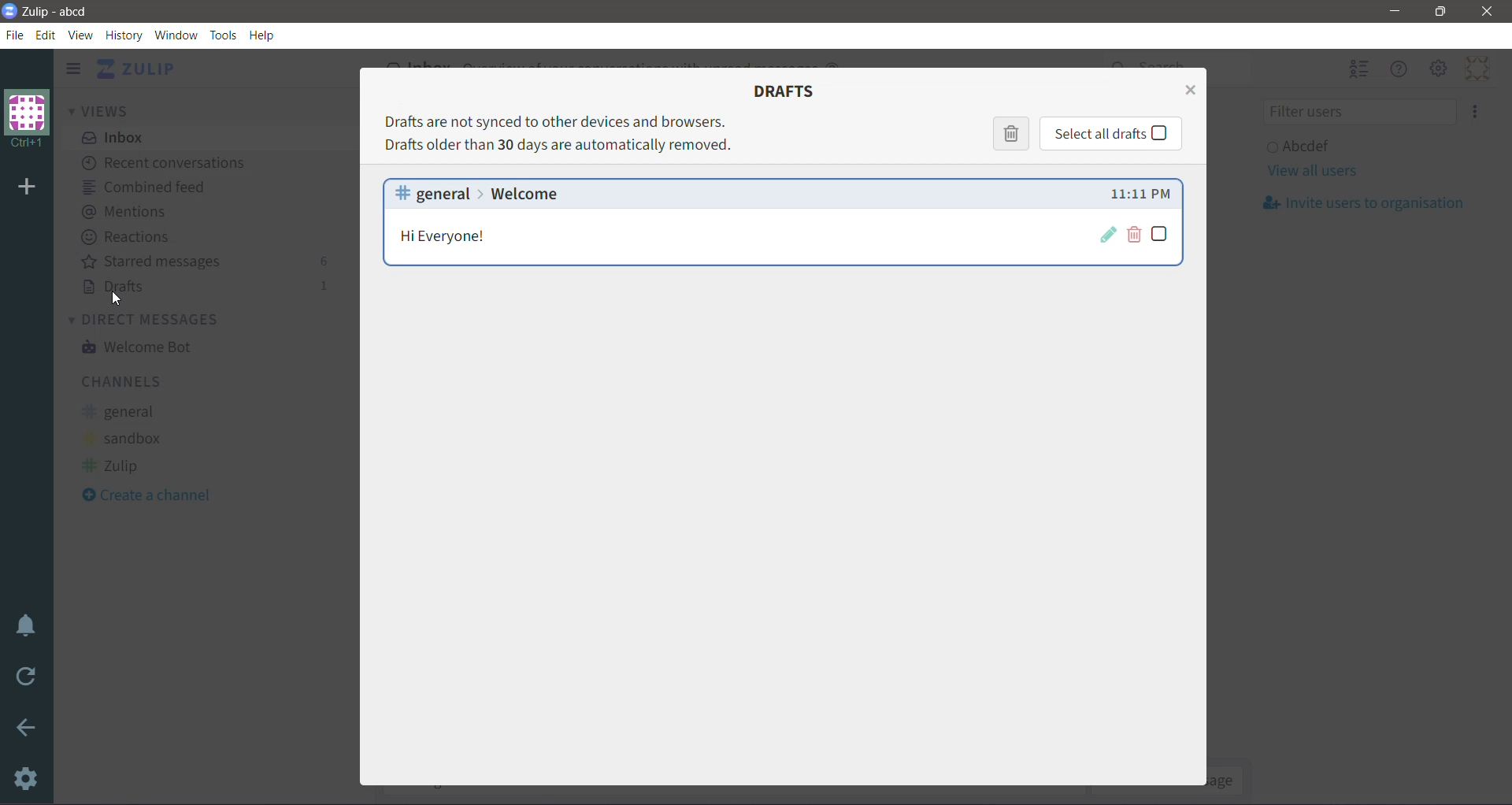  What do you see at coordinates (115, 467) in the screenshot?
I see `Zulip` at bounding box center [115, 467].